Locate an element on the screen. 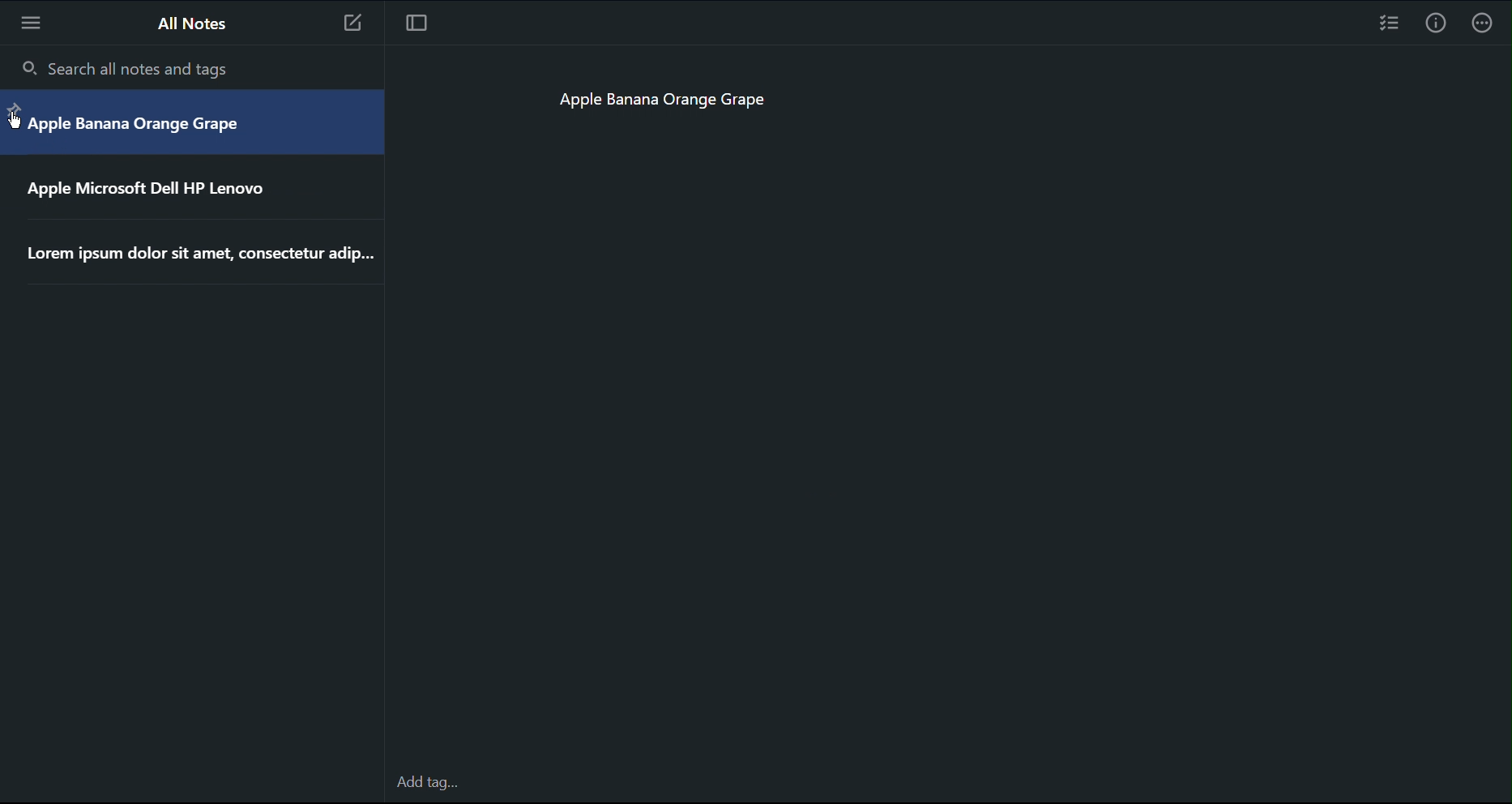 The image size is (1512, 804). More is located at coordinates (1489, 22).